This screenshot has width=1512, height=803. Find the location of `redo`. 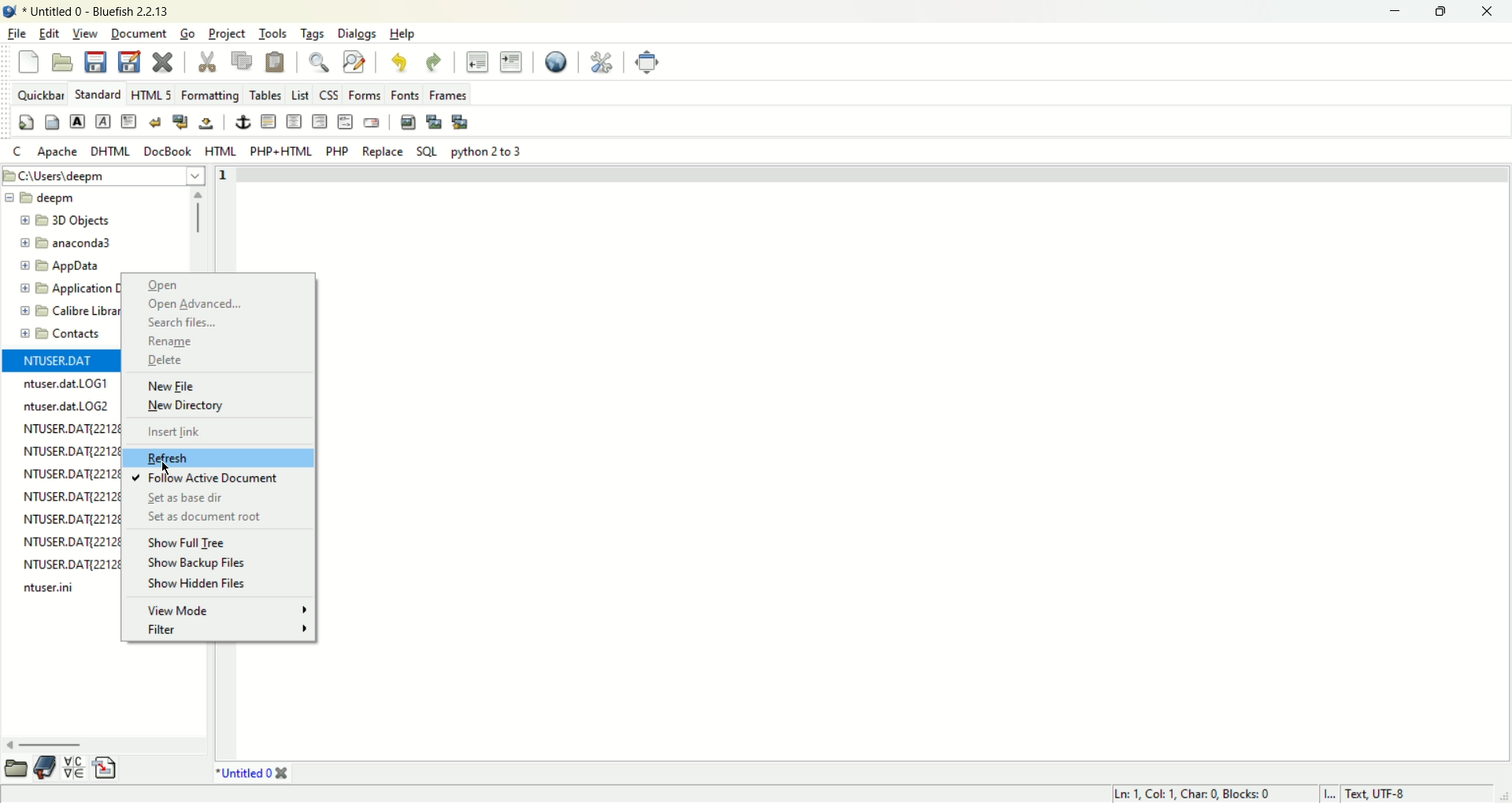

redo is located at coordinates (433, 61).